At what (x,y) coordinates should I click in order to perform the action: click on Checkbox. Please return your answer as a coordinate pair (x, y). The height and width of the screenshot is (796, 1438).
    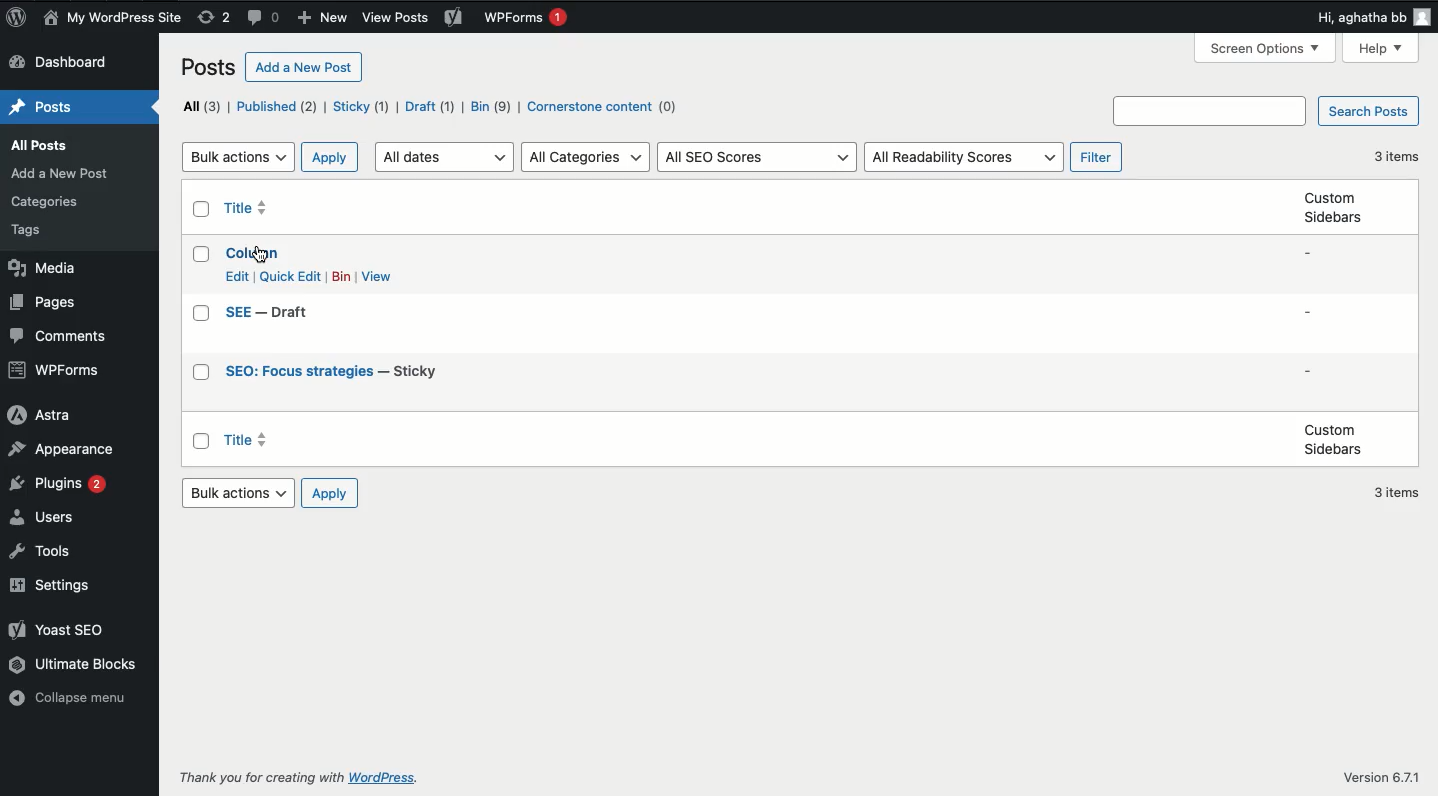
    Looking at the image, I should click on (202, 313).